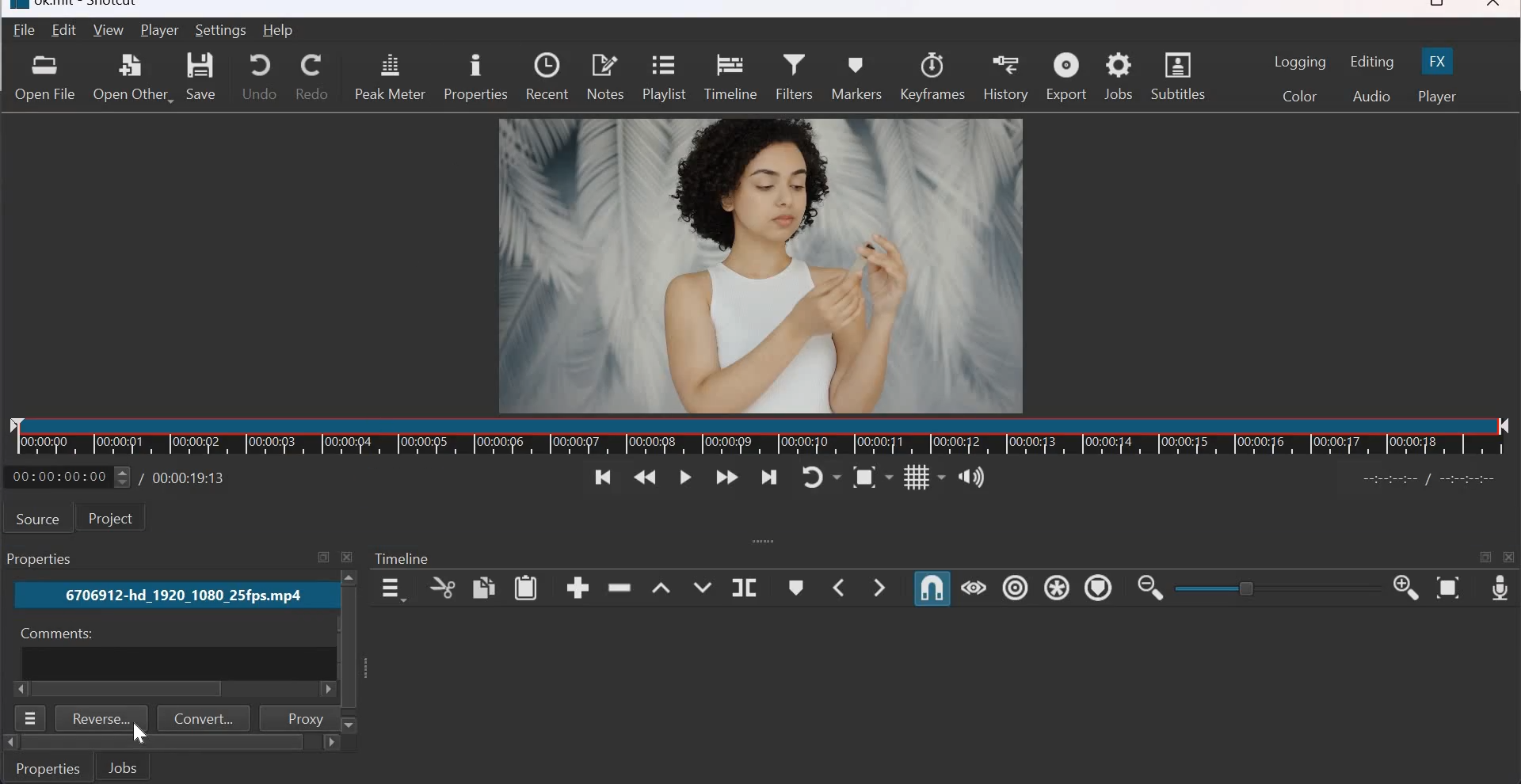  What do you see at coordinates (131, 690) in the screenshot?
I see `scroll bar` at bounding box center [131, 690].